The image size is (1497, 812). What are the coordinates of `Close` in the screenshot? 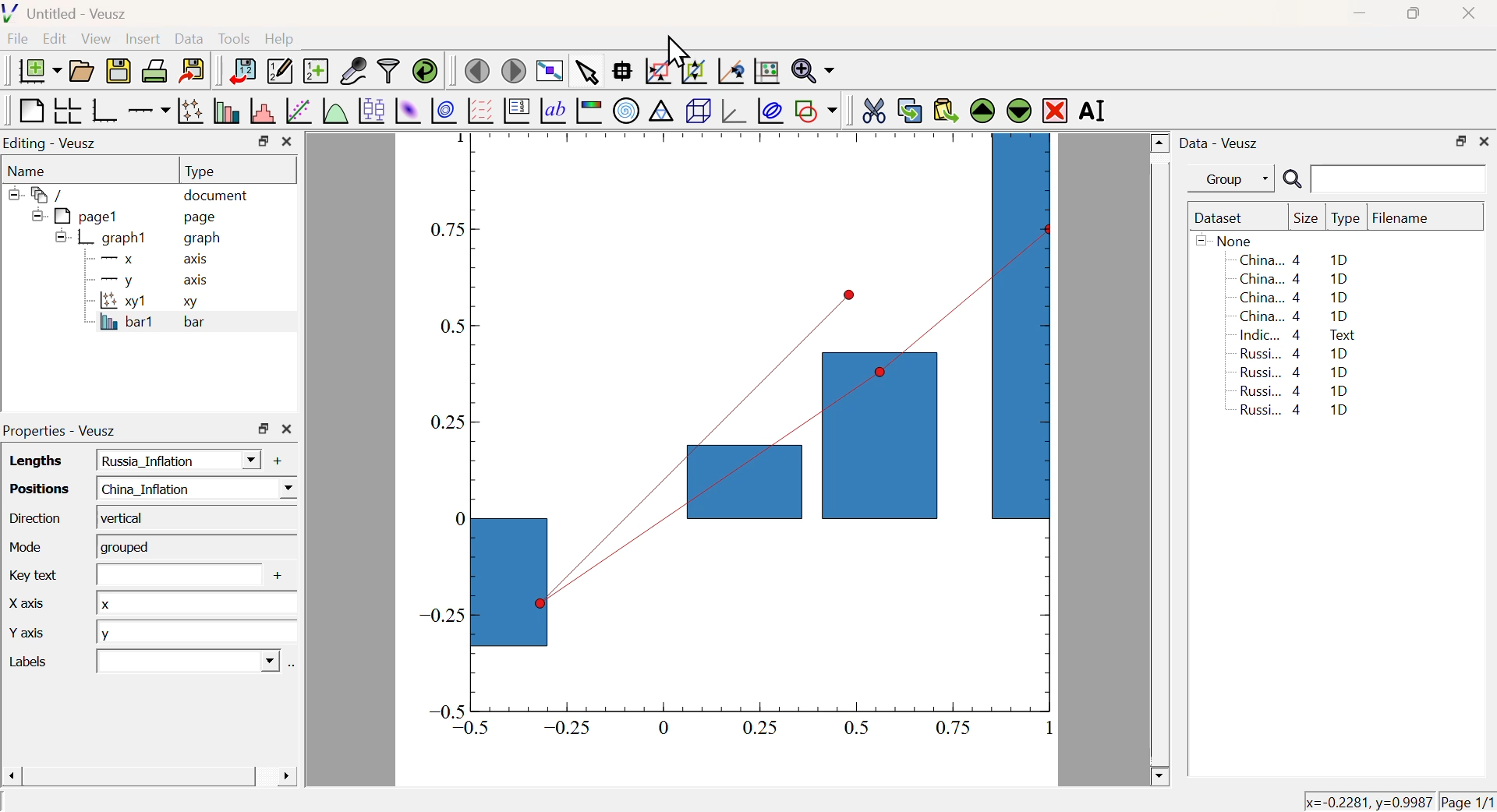 It's located at (287, 430).